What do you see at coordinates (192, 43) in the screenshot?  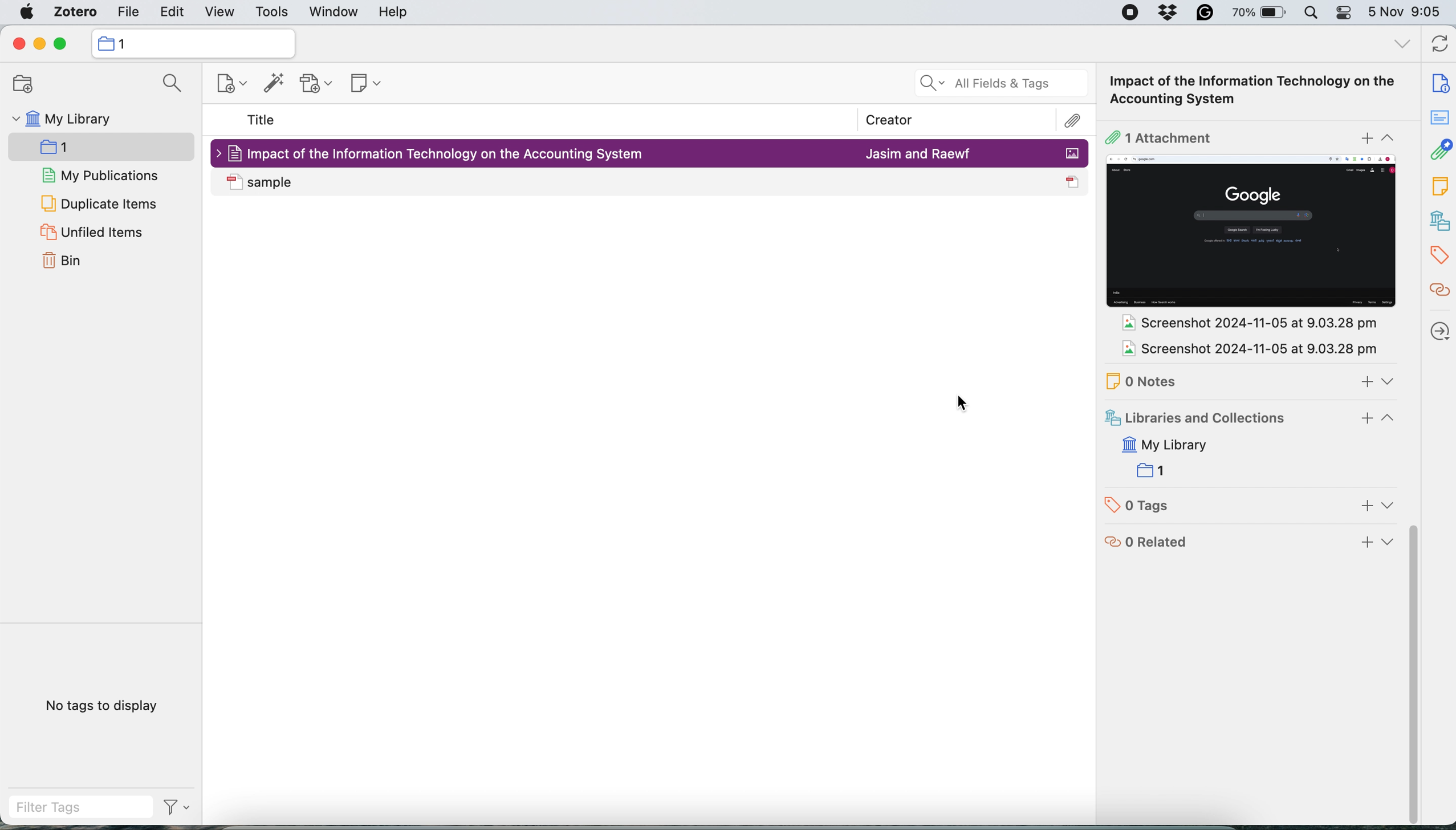 I see `new collection` at bounding box center [192, 43].